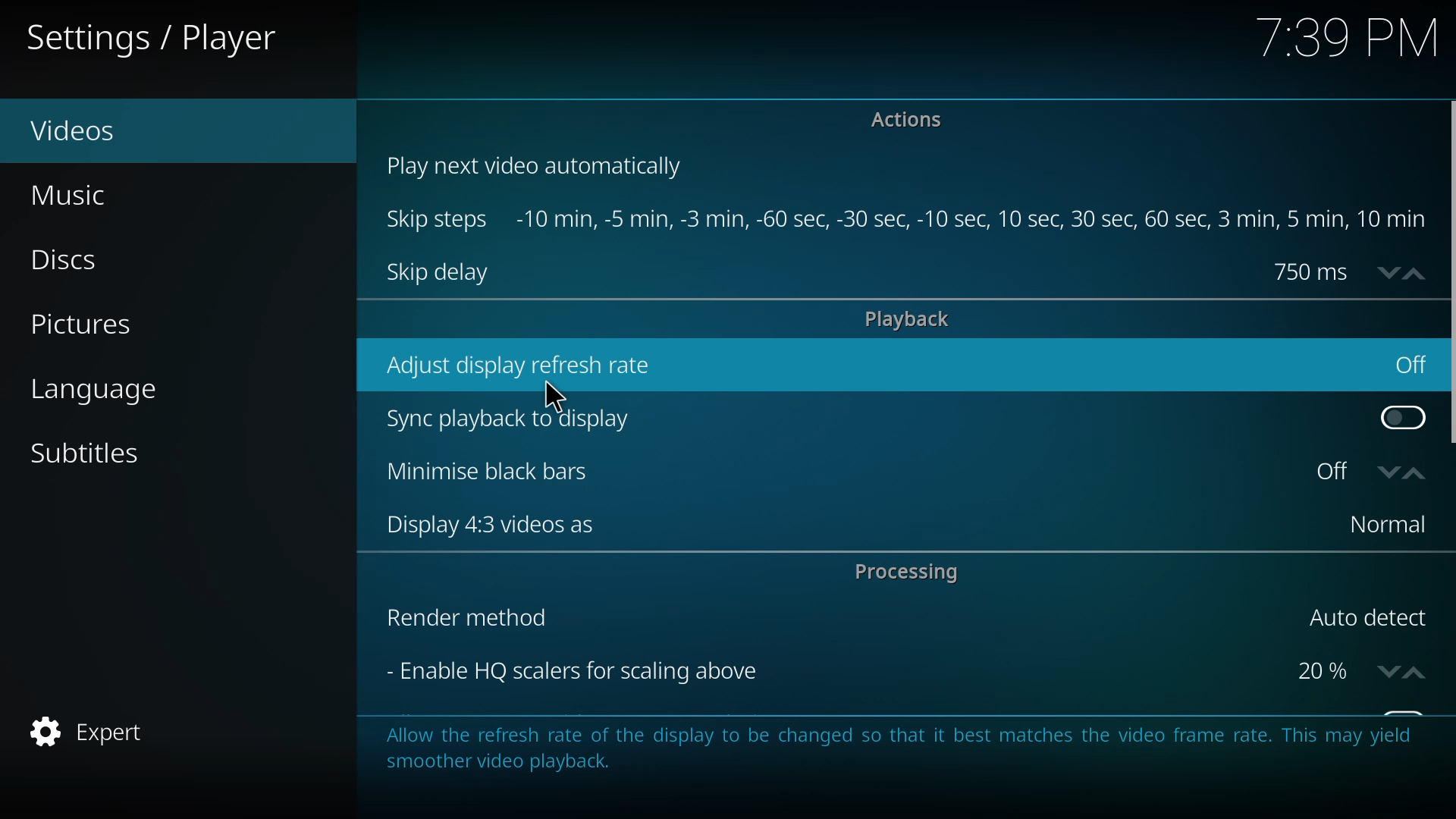 The height and width of the screenshot is (819, 1456). Describe the element at coordinates (93, 733) in the screenshot. I see `expert` at that location.